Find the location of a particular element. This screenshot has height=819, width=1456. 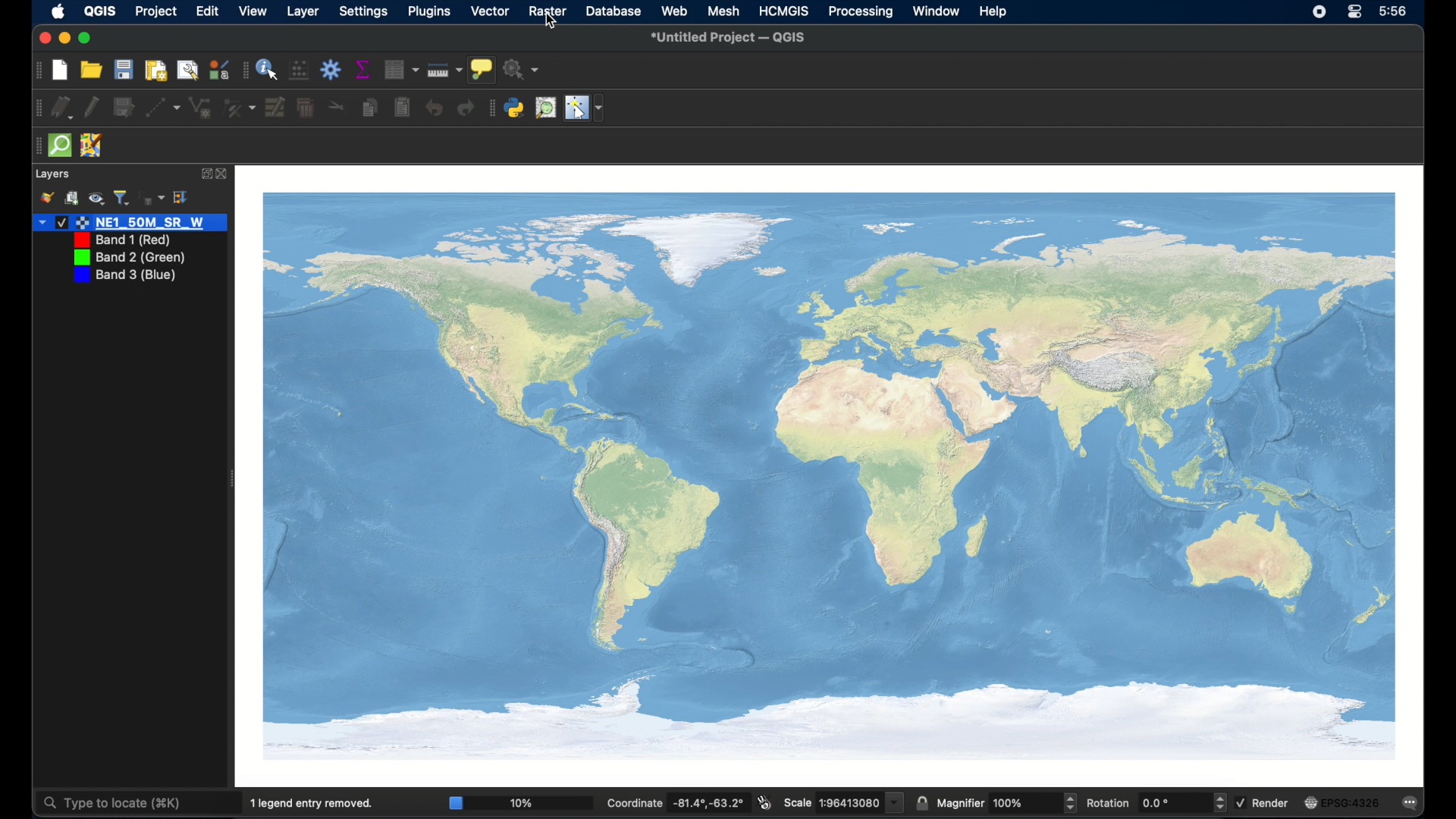

apple icon is located at coordinates (59, 11).